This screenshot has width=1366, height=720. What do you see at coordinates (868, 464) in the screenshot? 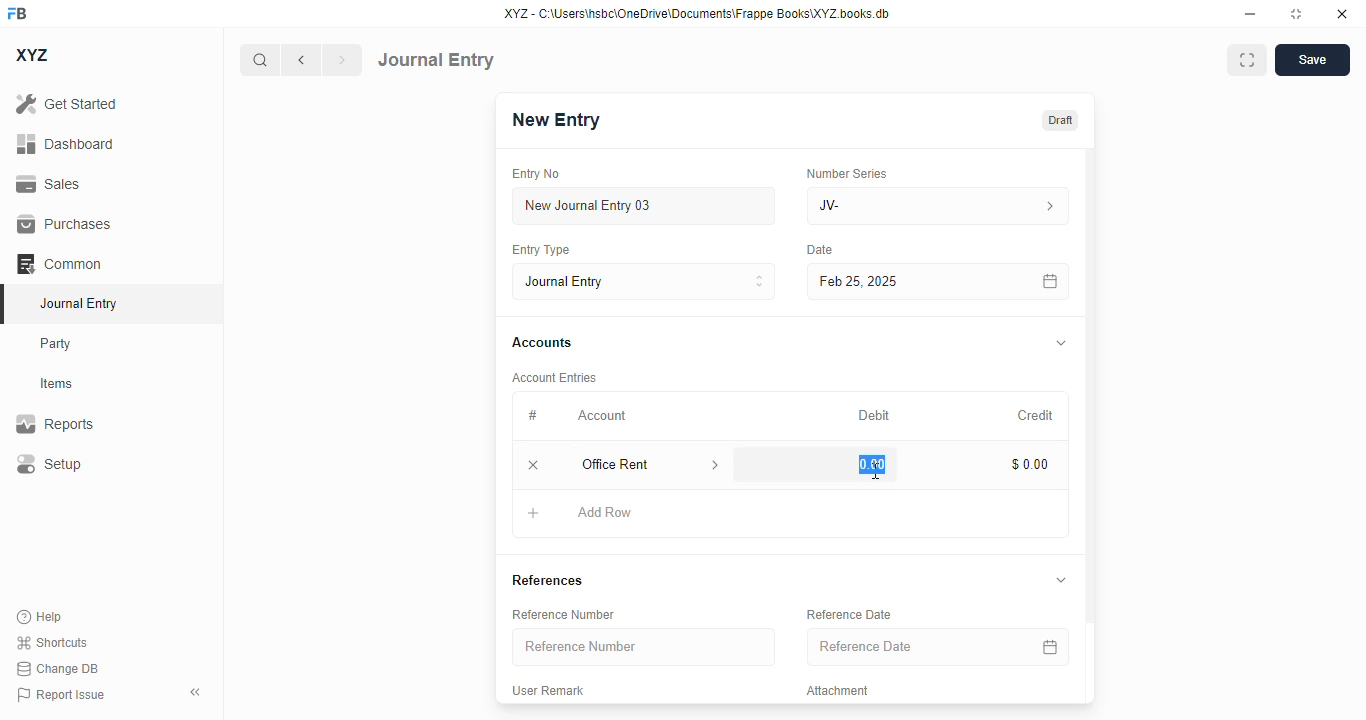
I see `$0.00 - typing` at bounding box center [868, 464].